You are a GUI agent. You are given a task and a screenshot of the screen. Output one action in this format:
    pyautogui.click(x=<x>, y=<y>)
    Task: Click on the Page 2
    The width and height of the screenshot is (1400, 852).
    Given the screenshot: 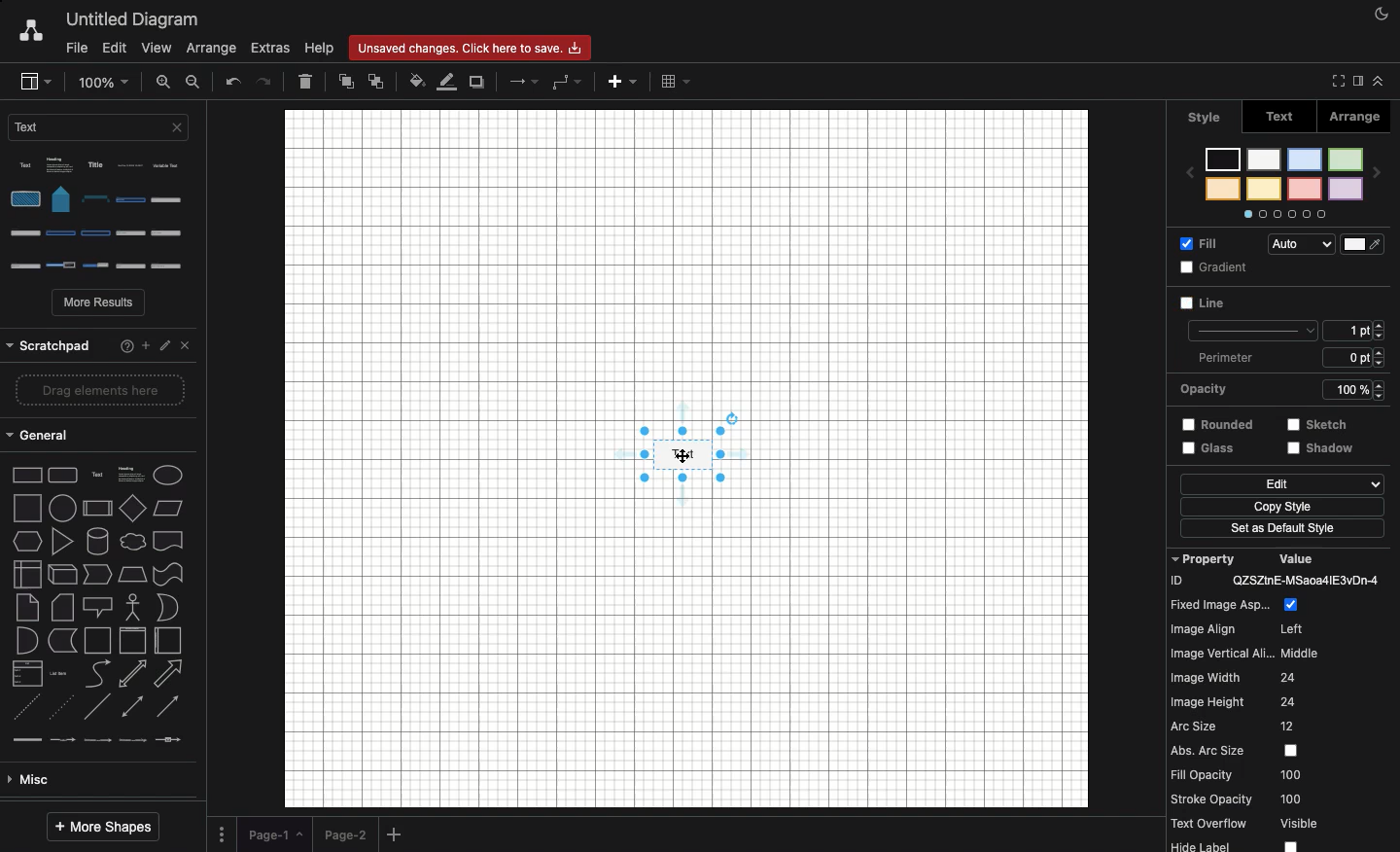 What is the action you would take?
    pyautogui.click(x=344, y=834)
    